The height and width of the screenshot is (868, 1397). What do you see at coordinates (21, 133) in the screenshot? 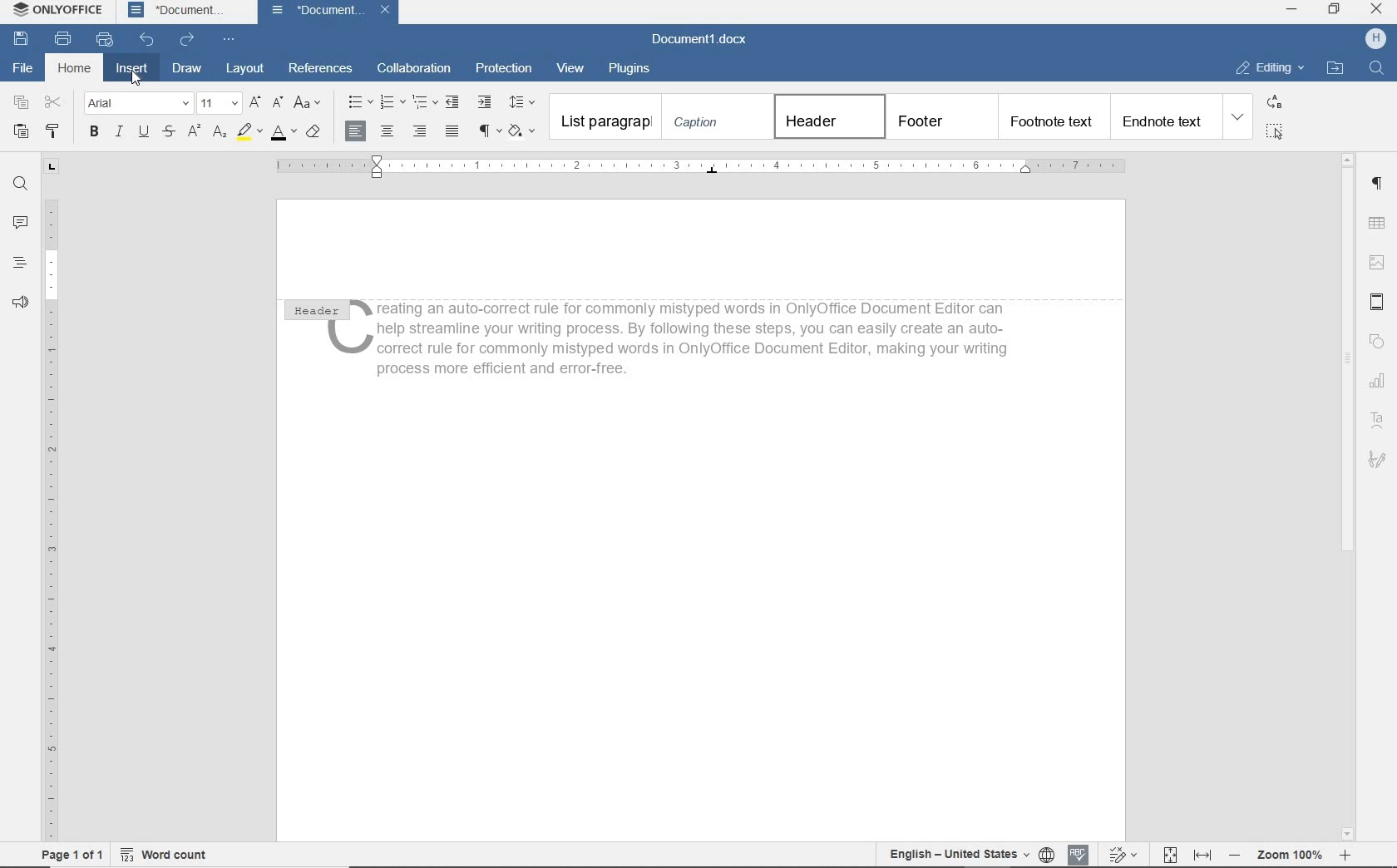
I see `PASTE` at bounding box center [21, 133].